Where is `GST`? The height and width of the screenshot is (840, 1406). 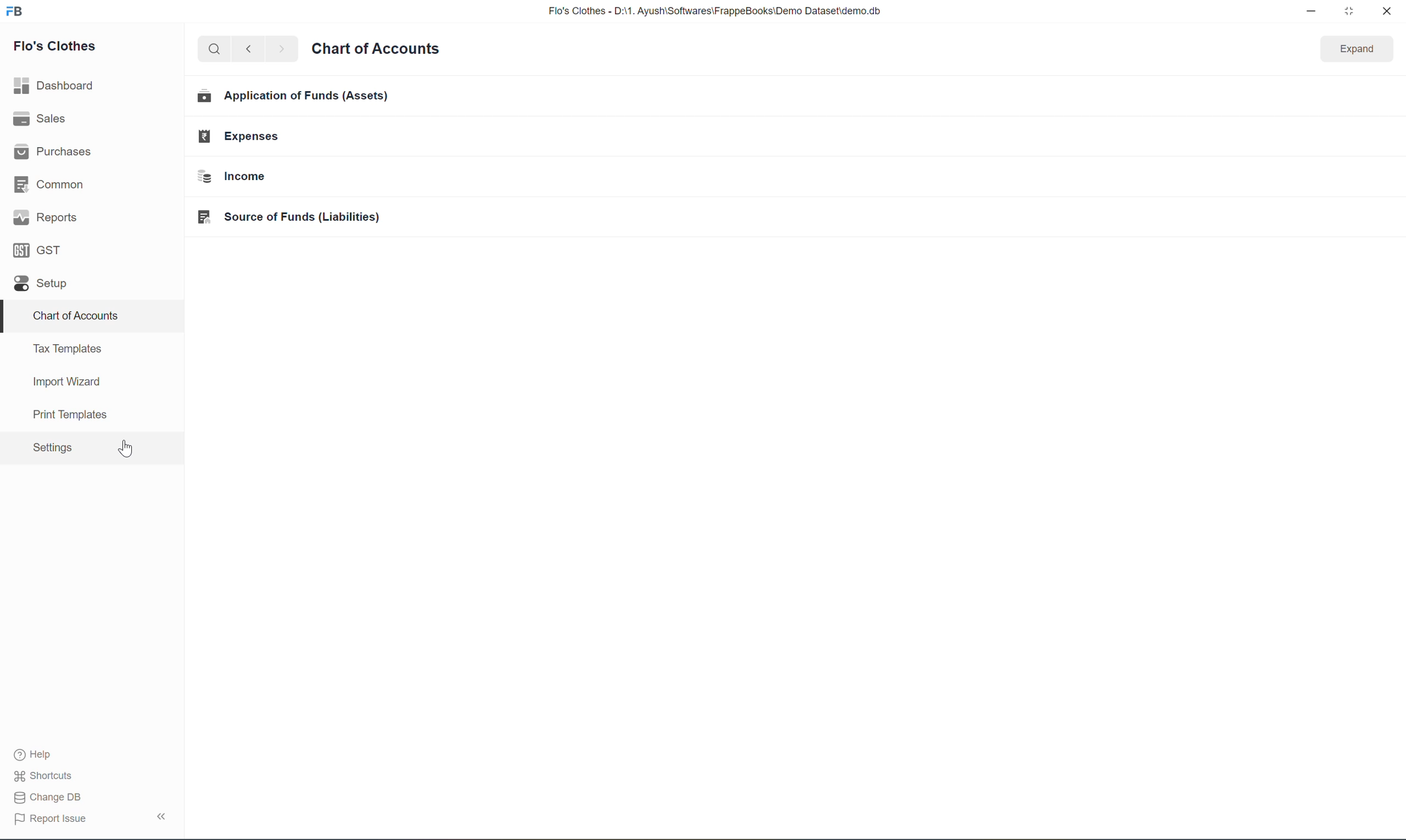
GST is located at coordinates (38, 250).